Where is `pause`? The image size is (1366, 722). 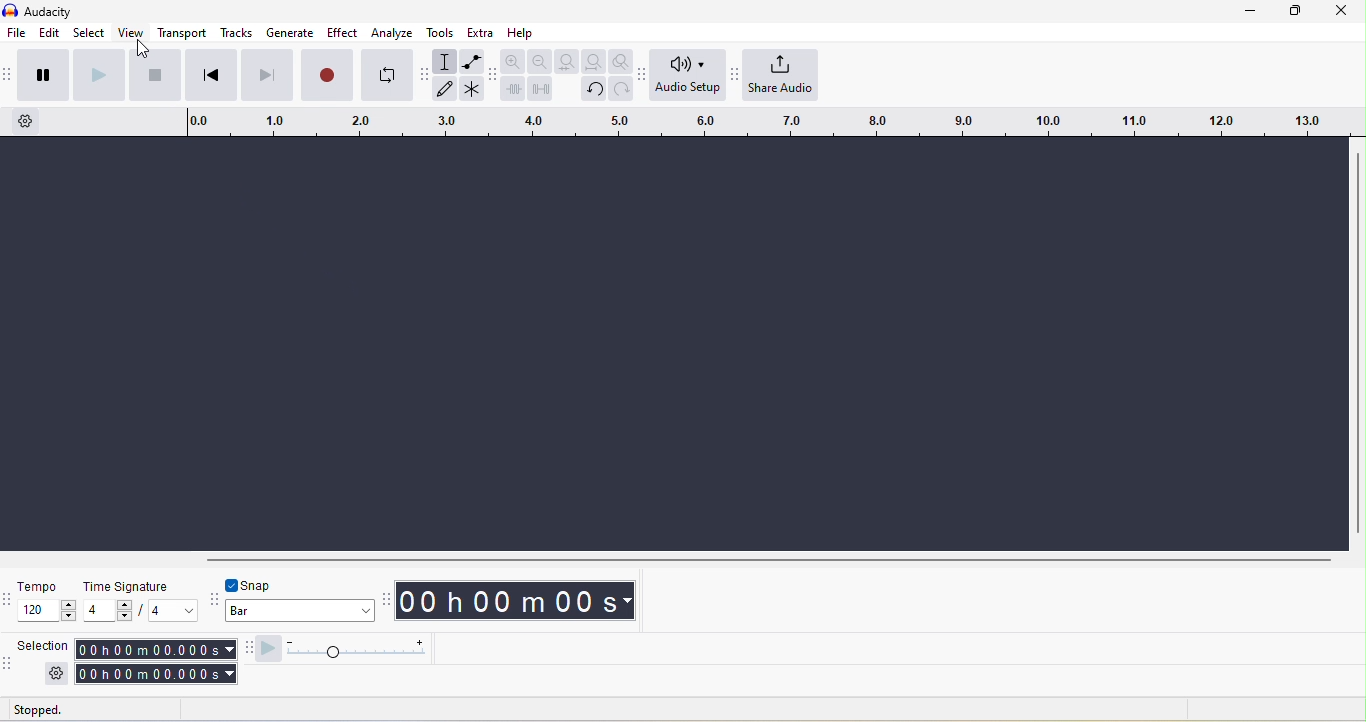 pause is located at coordinates (44, 76).